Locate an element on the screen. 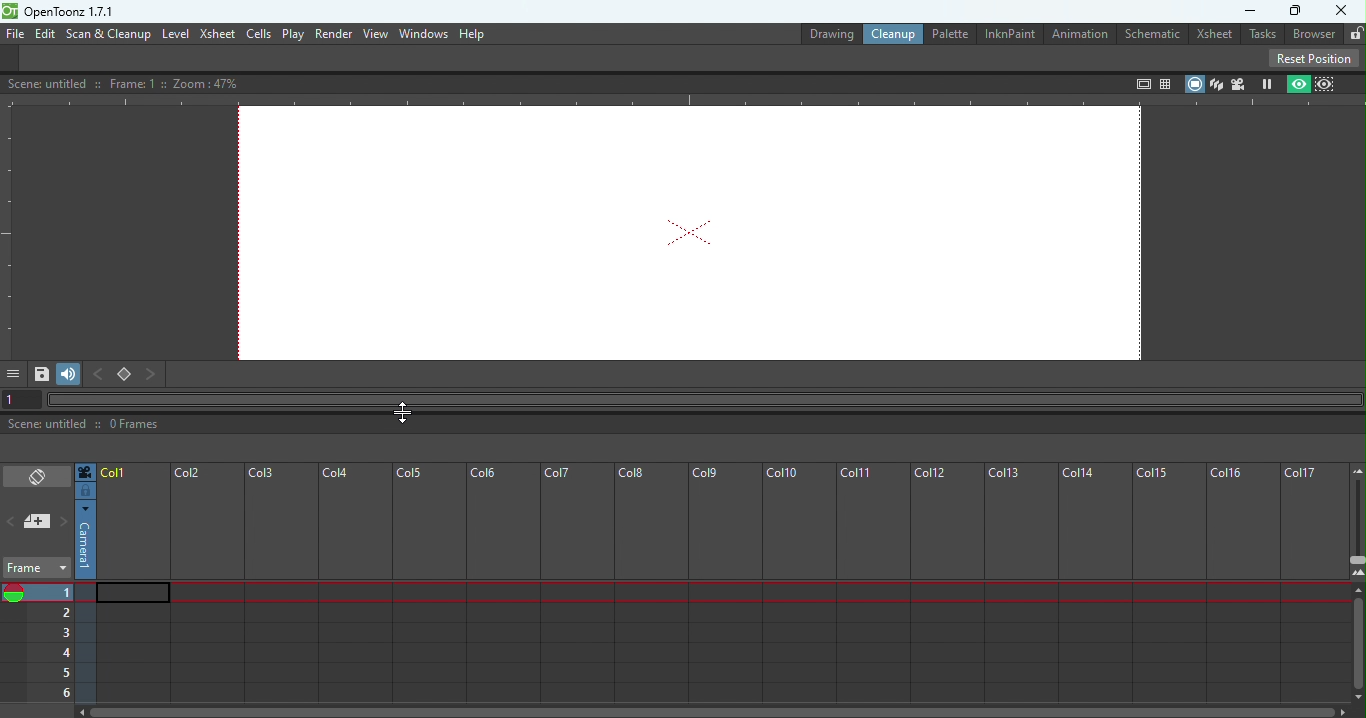 The image size is (1366, 718). Preview is located at coordinates (1296, 84).